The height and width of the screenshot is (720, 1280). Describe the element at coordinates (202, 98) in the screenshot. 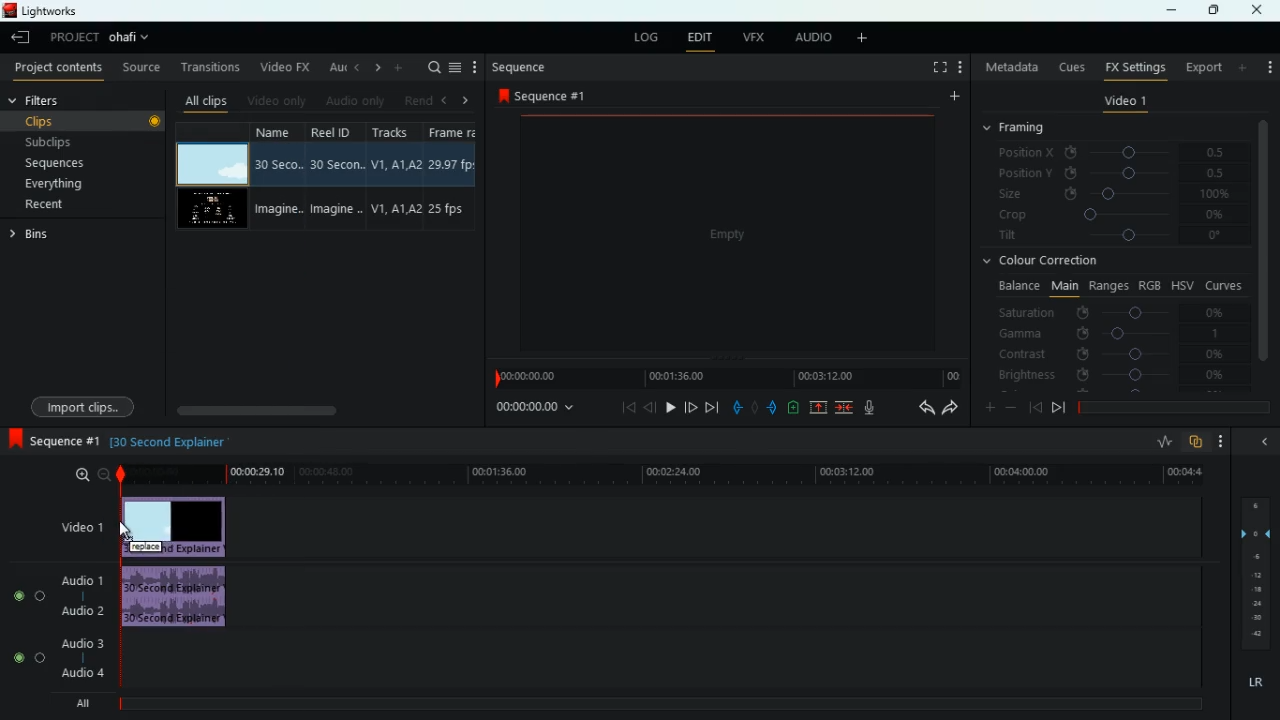

I see `all clips` at that location.